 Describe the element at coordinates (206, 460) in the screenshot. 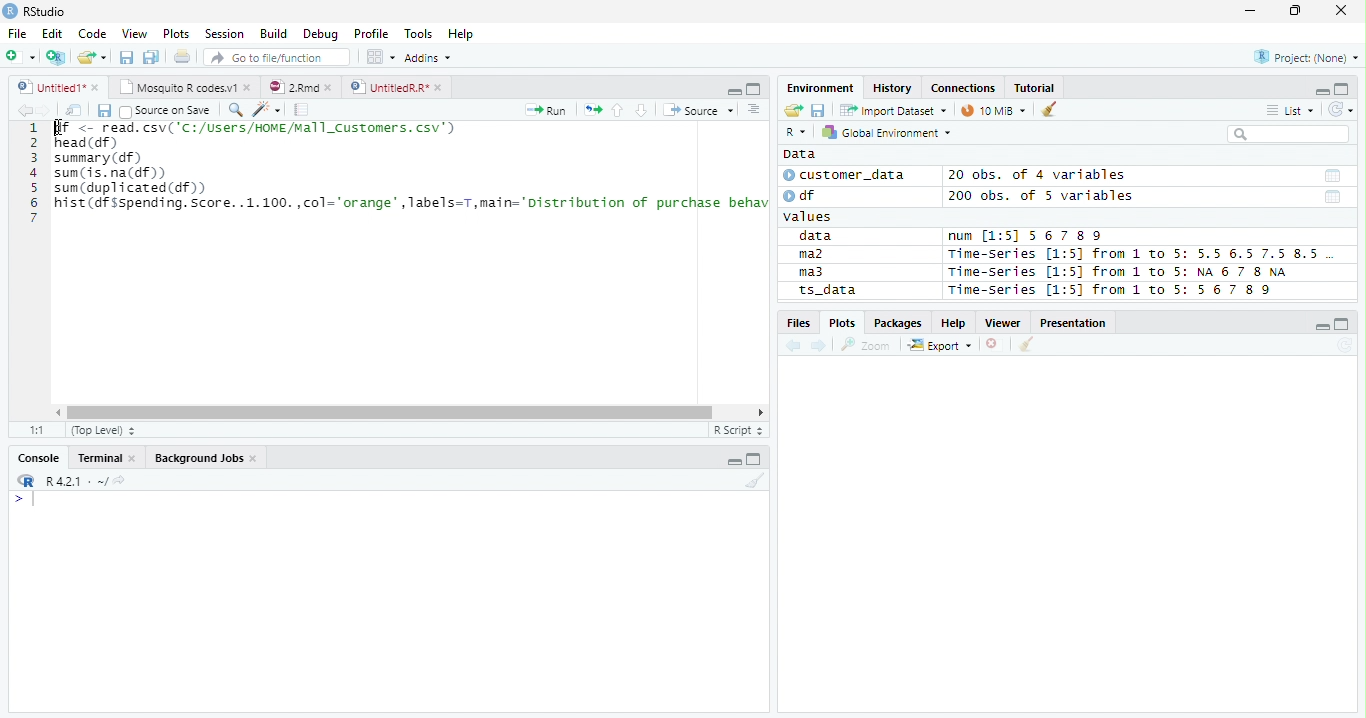

I see `Background jobs` at that location.